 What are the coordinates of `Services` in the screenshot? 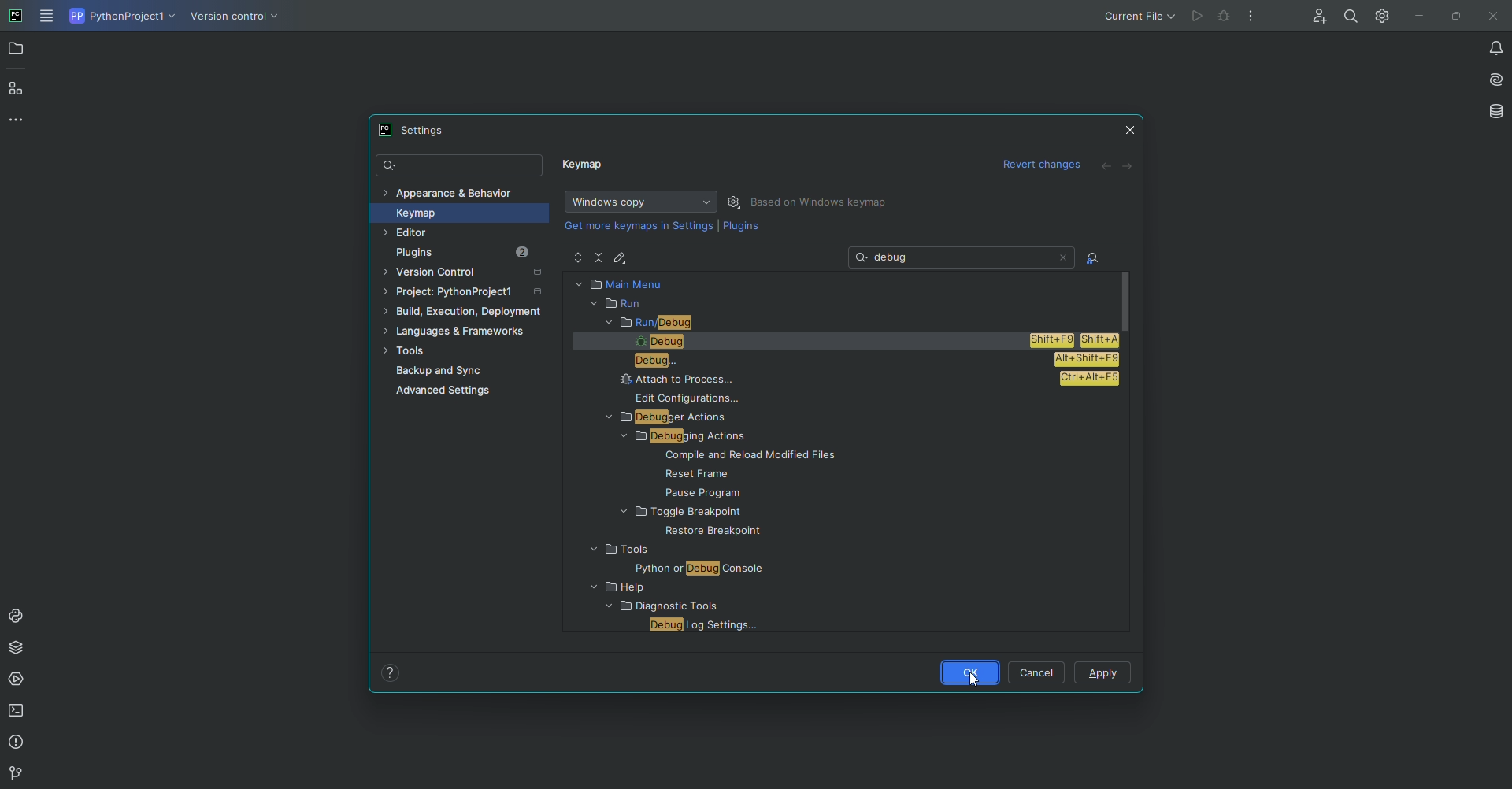 It's located at (18, 680).